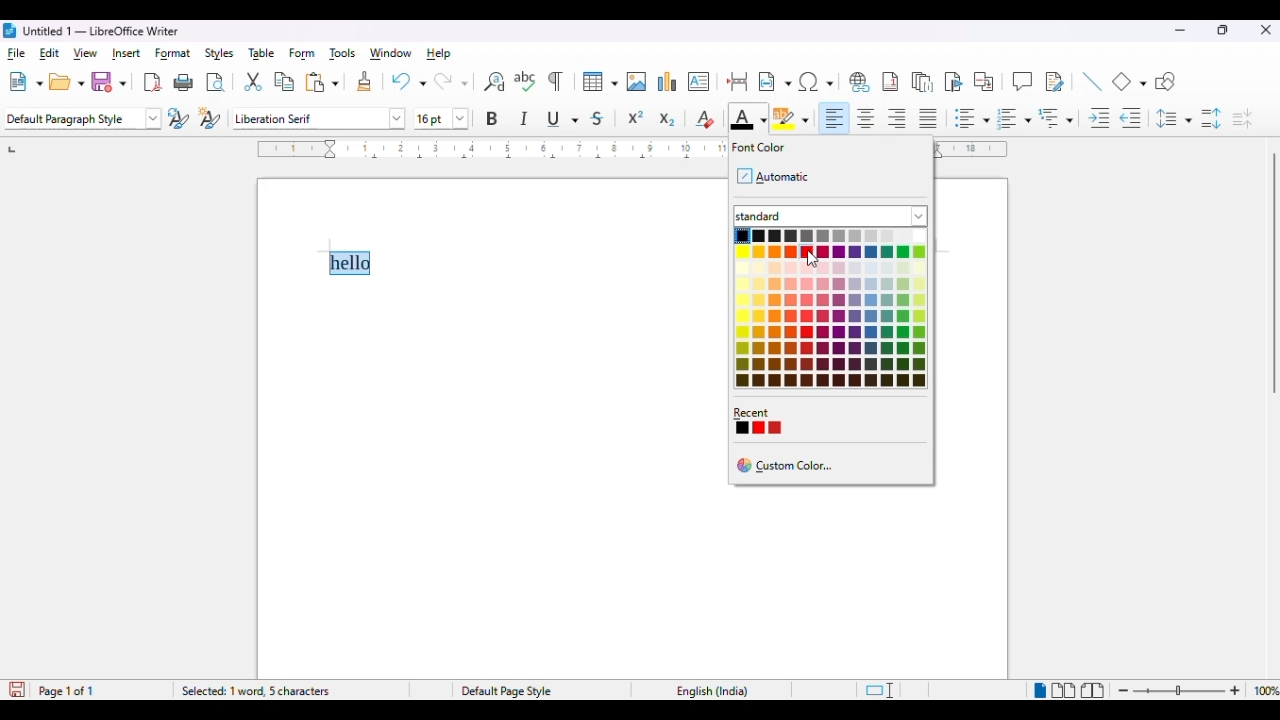  I want to click on maximize, so click(1224, 30).